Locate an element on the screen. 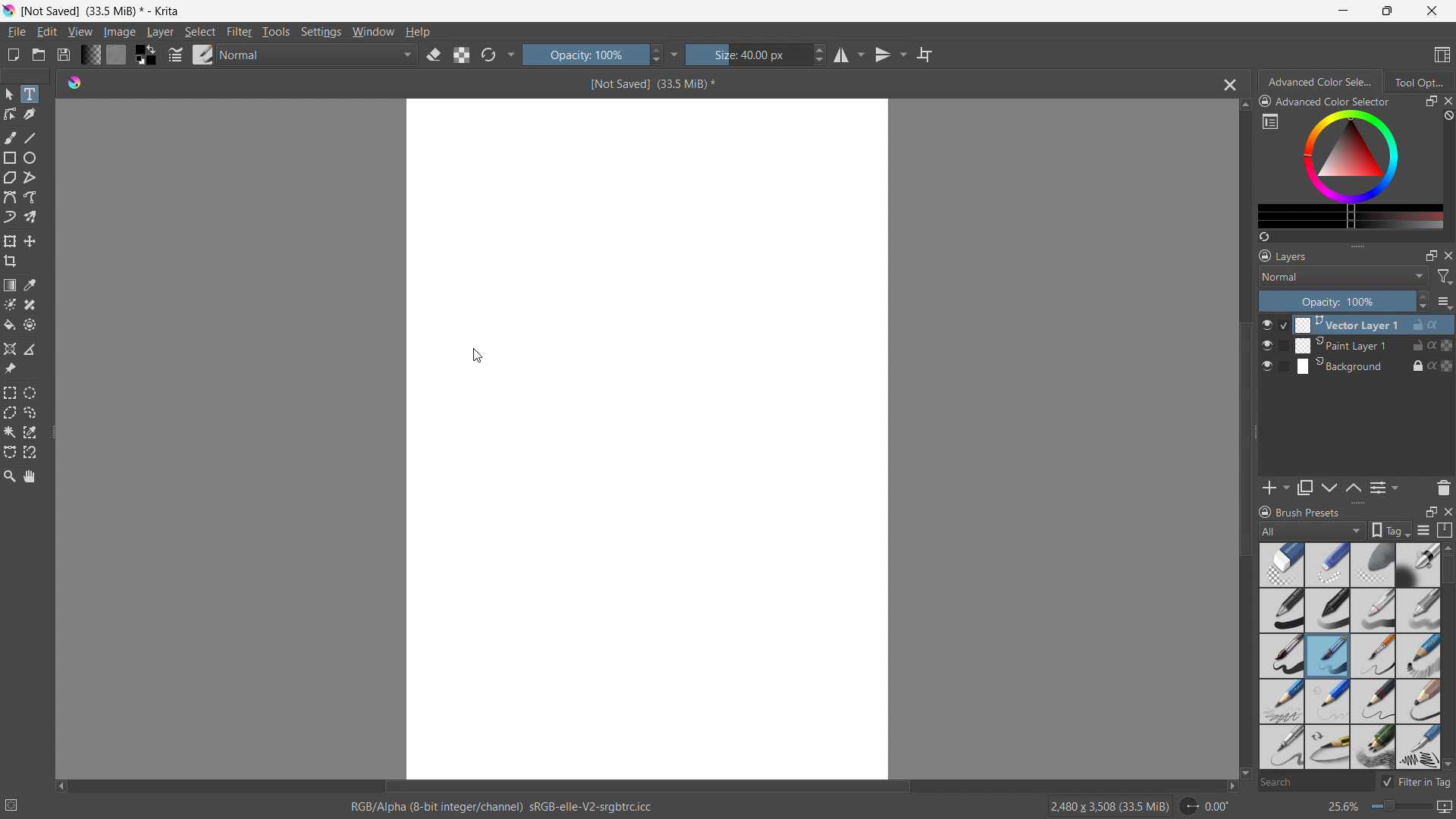  scroll right is located at coordinates (1227, 786).